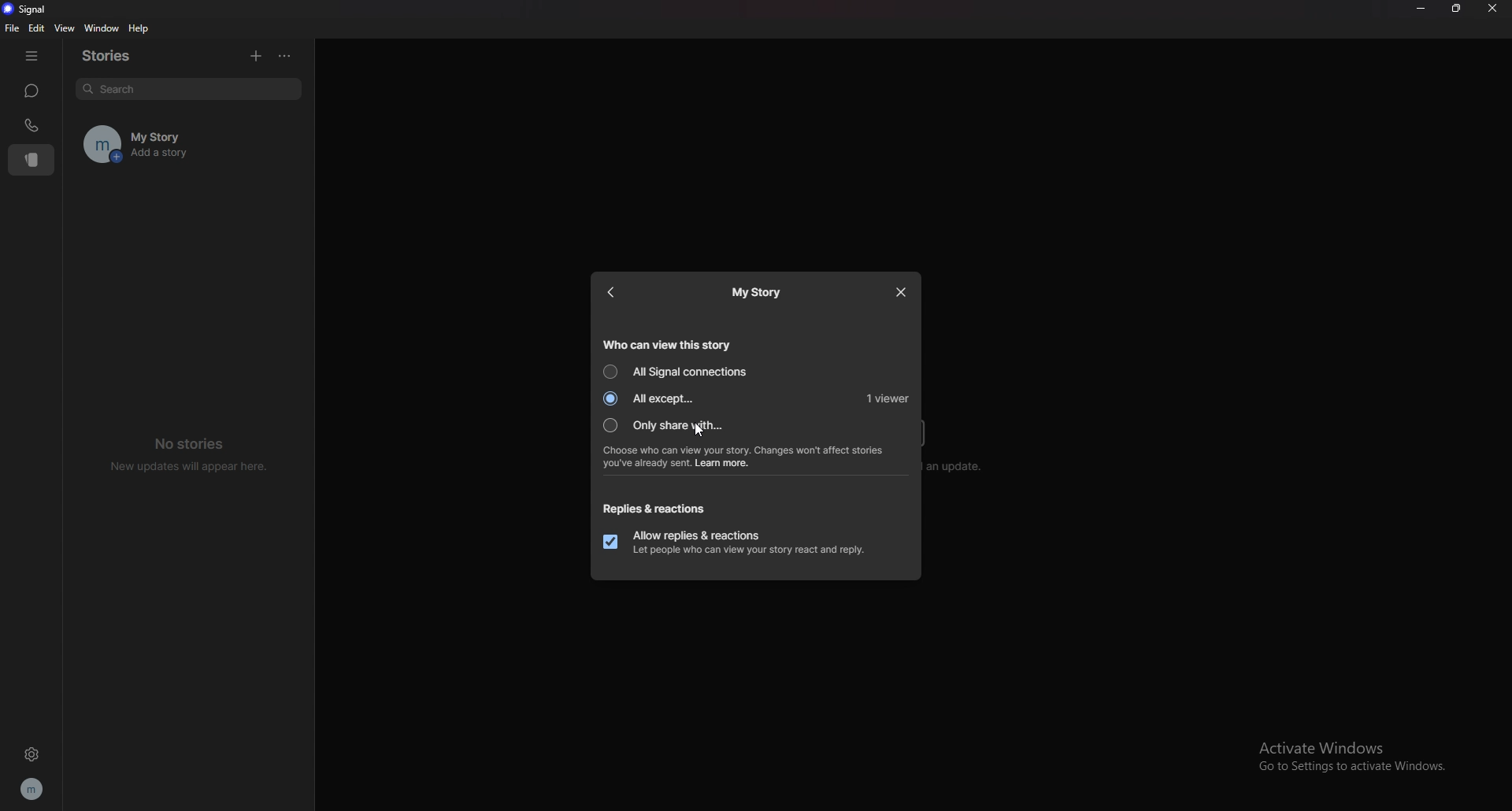  What do you see at coordinates (120, 56) in the screenshot?
I see `stories` at bounding box center [120, 56].